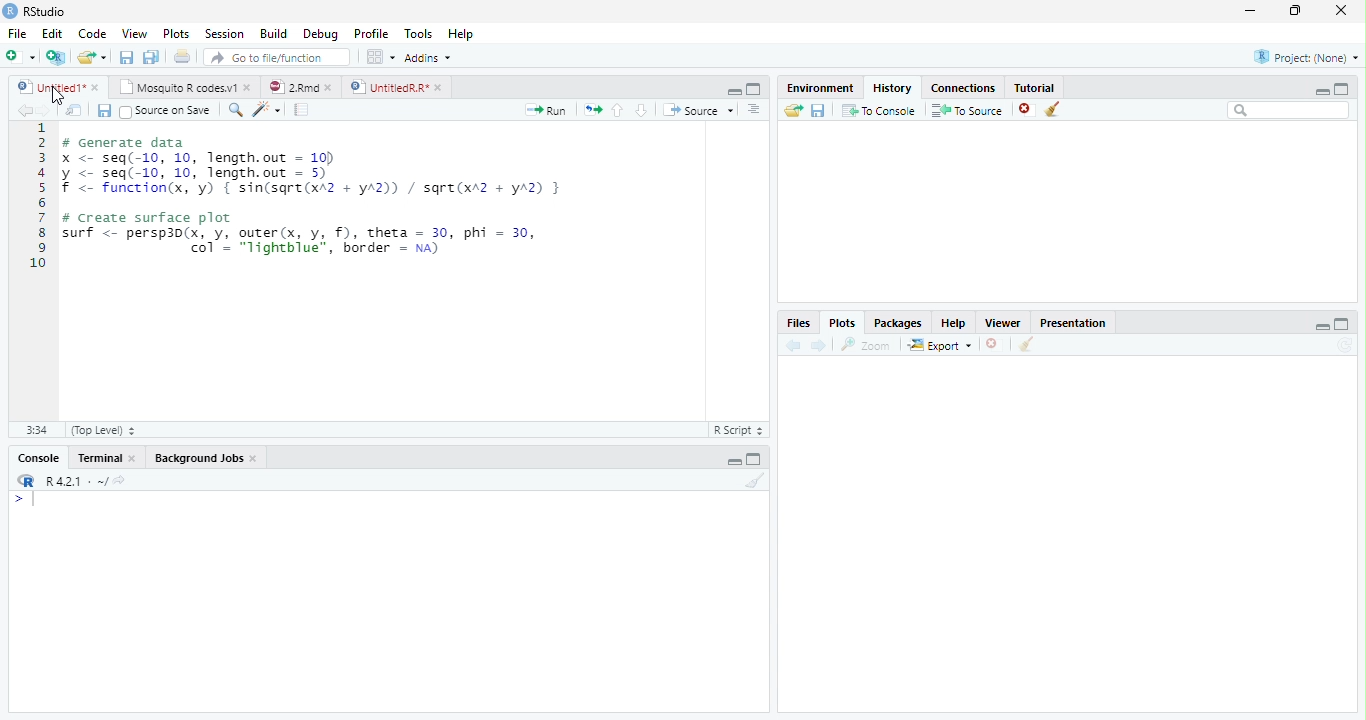 The image size is (1366, 720). I want to click on Code, so click(91, 33).